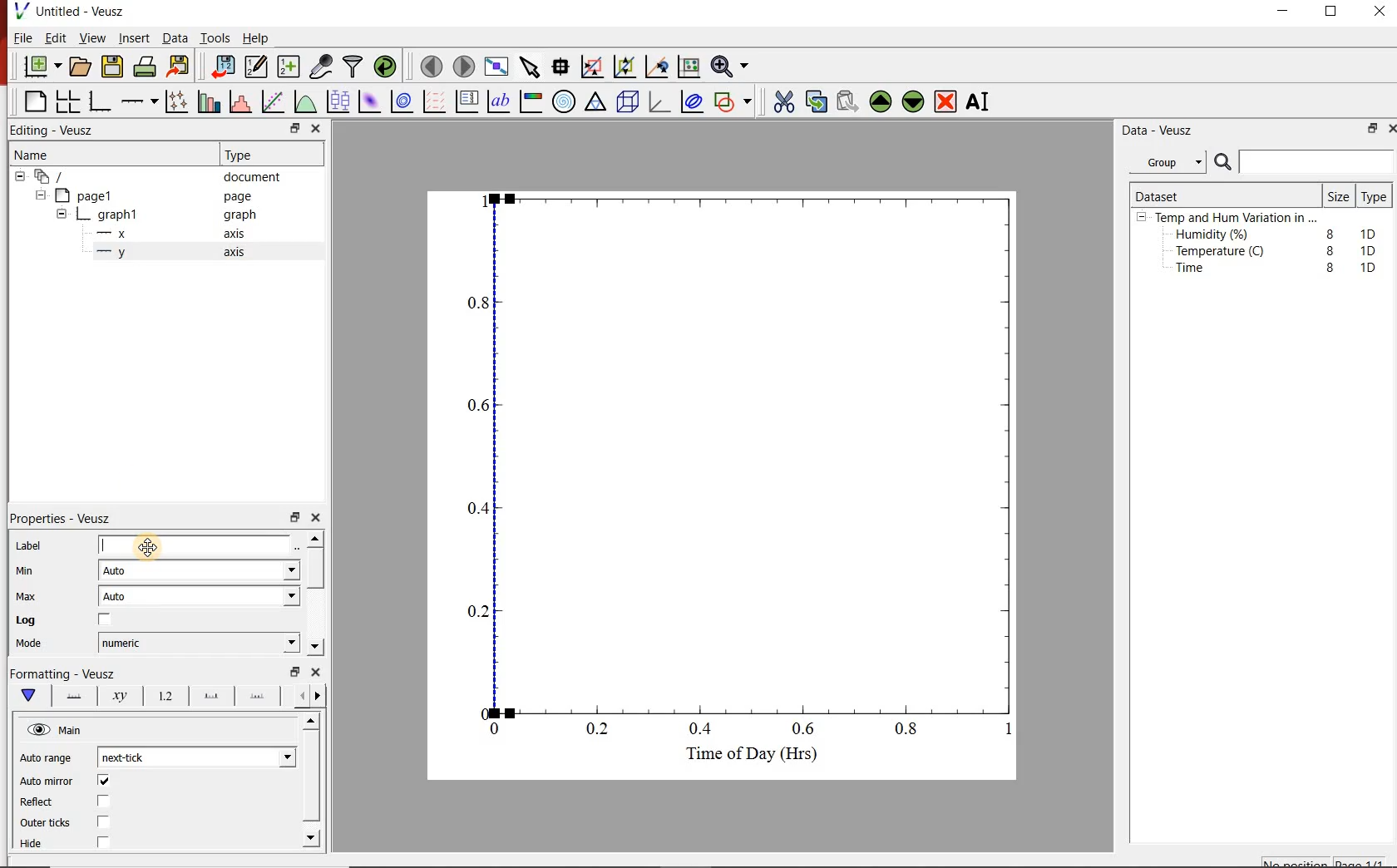  I want to click on File, so click(19, 37).